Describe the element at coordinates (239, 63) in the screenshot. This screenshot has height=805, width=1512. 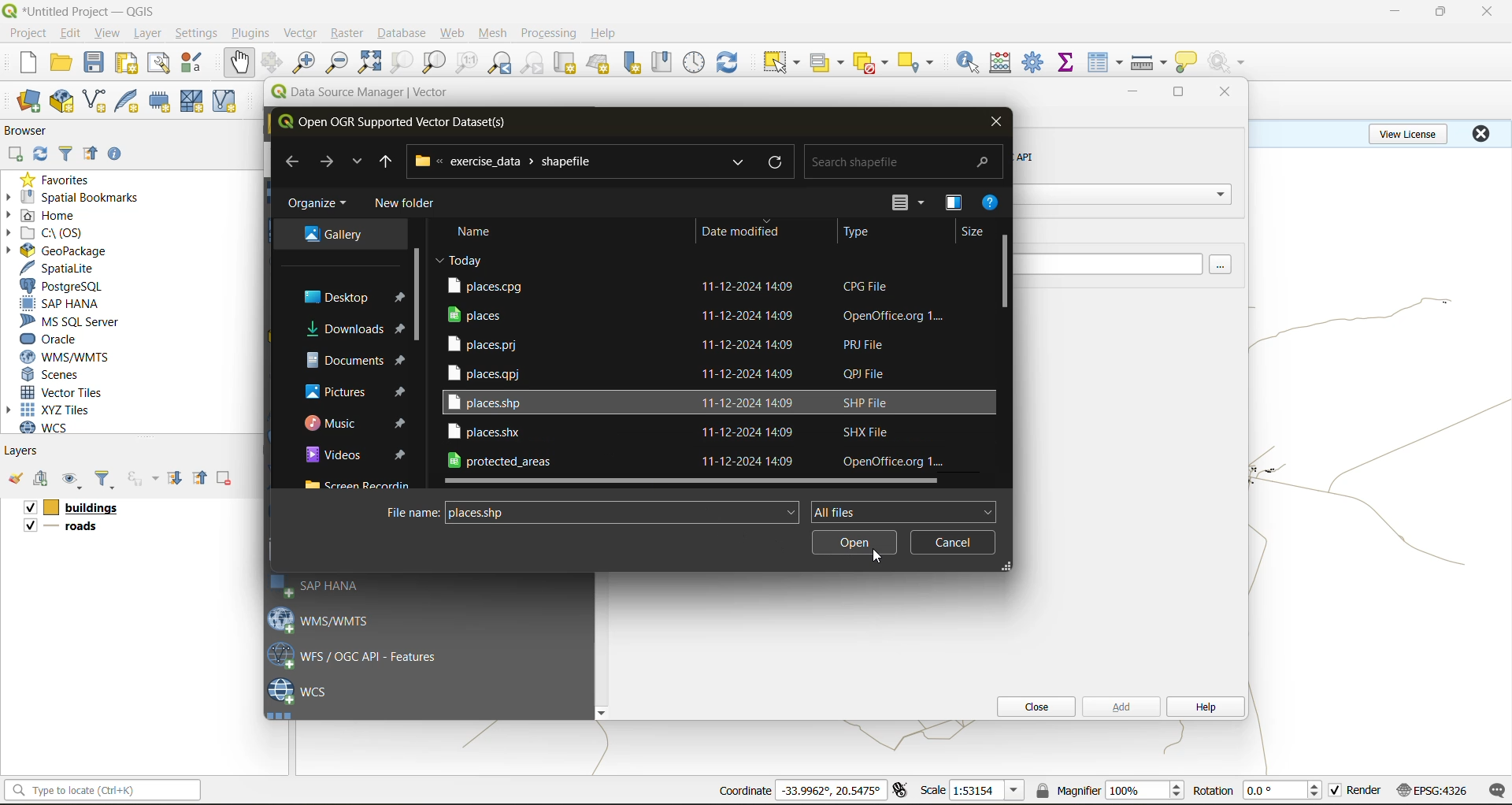
I see `pan map` at that location.